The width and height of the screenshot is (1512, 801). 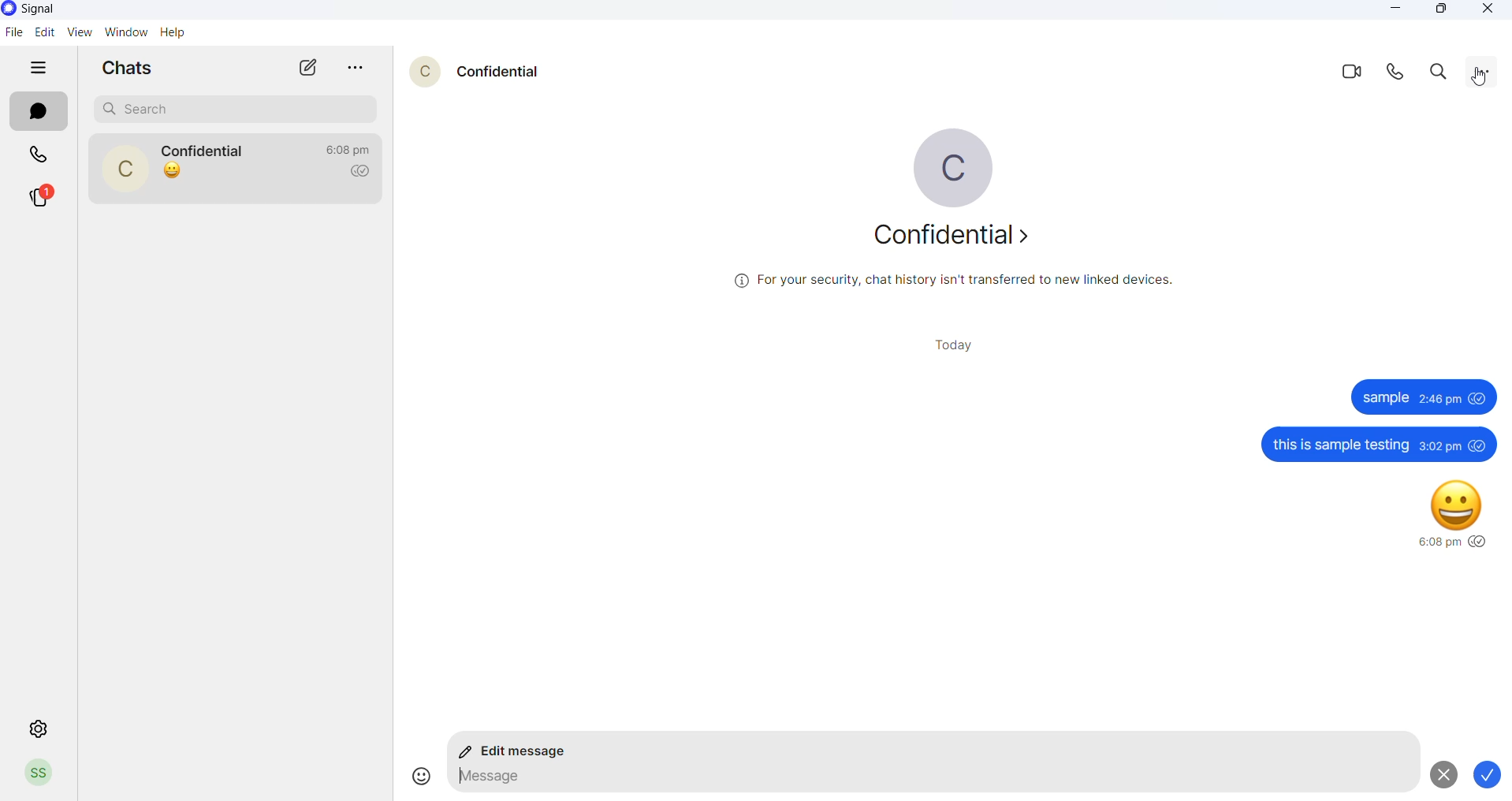 What do you see at coordinates (75, 32) in the screenshot?
I see `view` at bounding box center [75, 32].